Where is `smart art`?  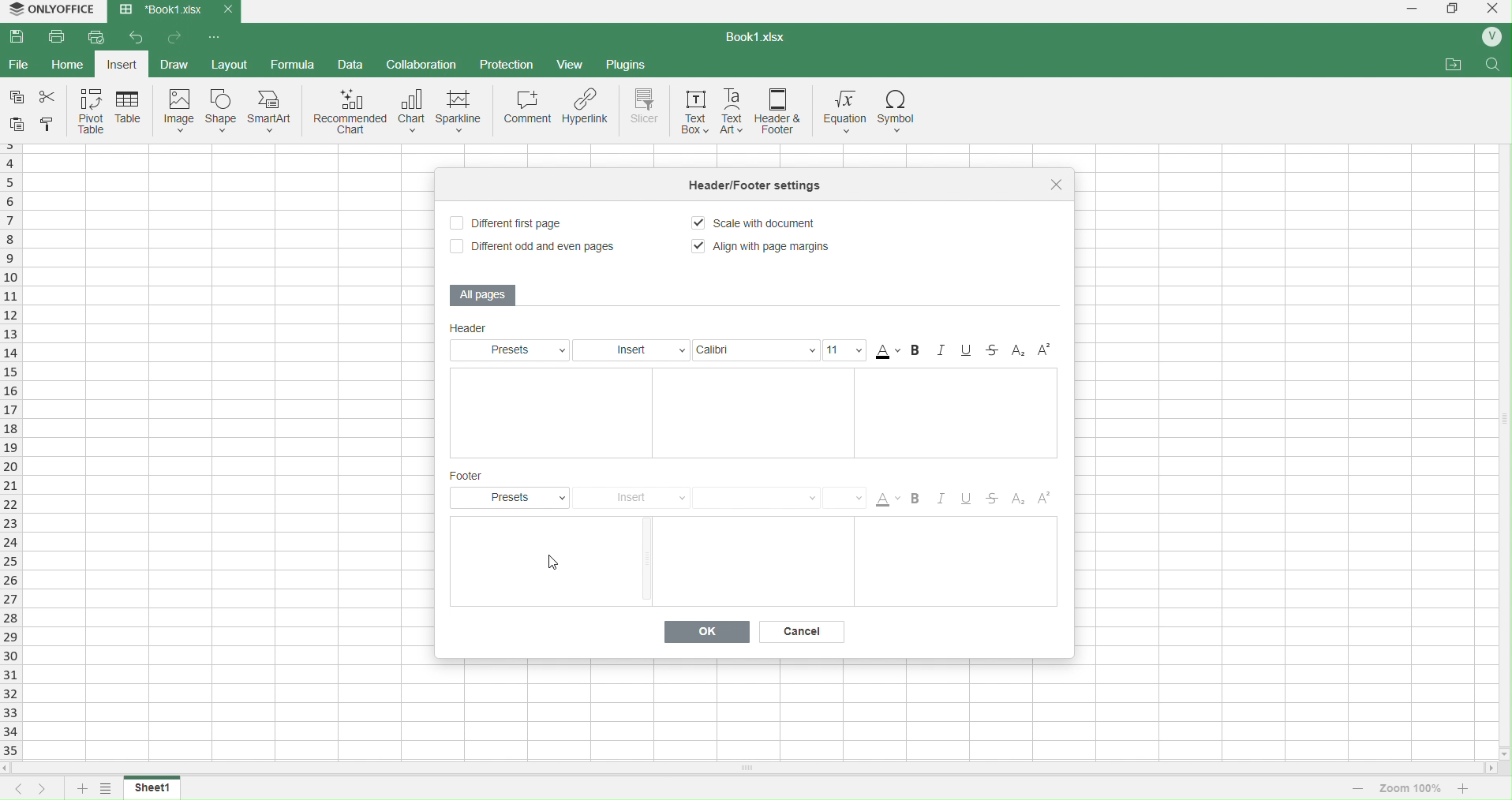 smart art is located at coordinates (269, 111).